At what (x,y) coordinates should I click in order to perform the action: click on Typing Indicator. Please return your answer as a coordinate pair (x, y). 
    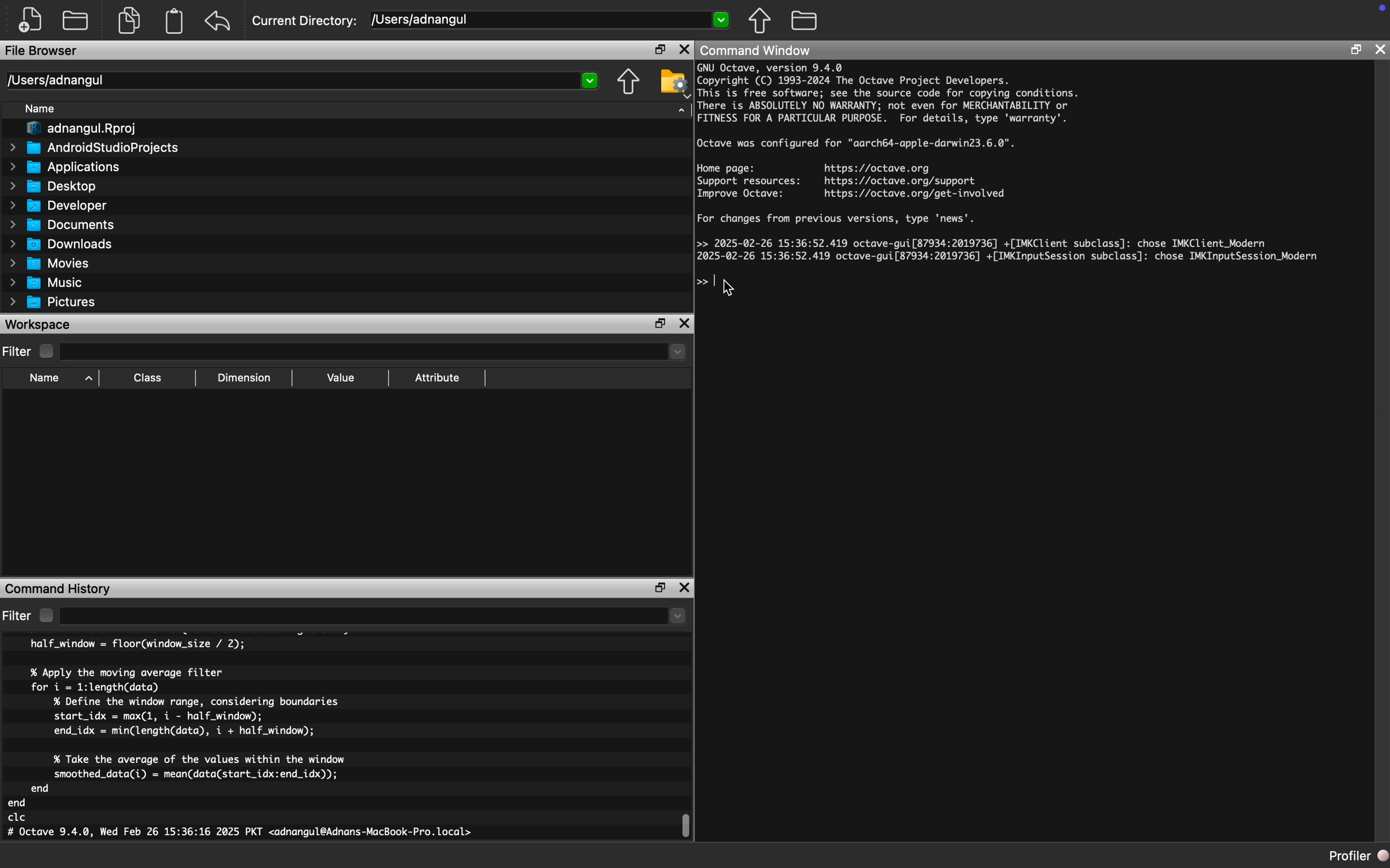
    Looking at the image, I should click on (711, 285).